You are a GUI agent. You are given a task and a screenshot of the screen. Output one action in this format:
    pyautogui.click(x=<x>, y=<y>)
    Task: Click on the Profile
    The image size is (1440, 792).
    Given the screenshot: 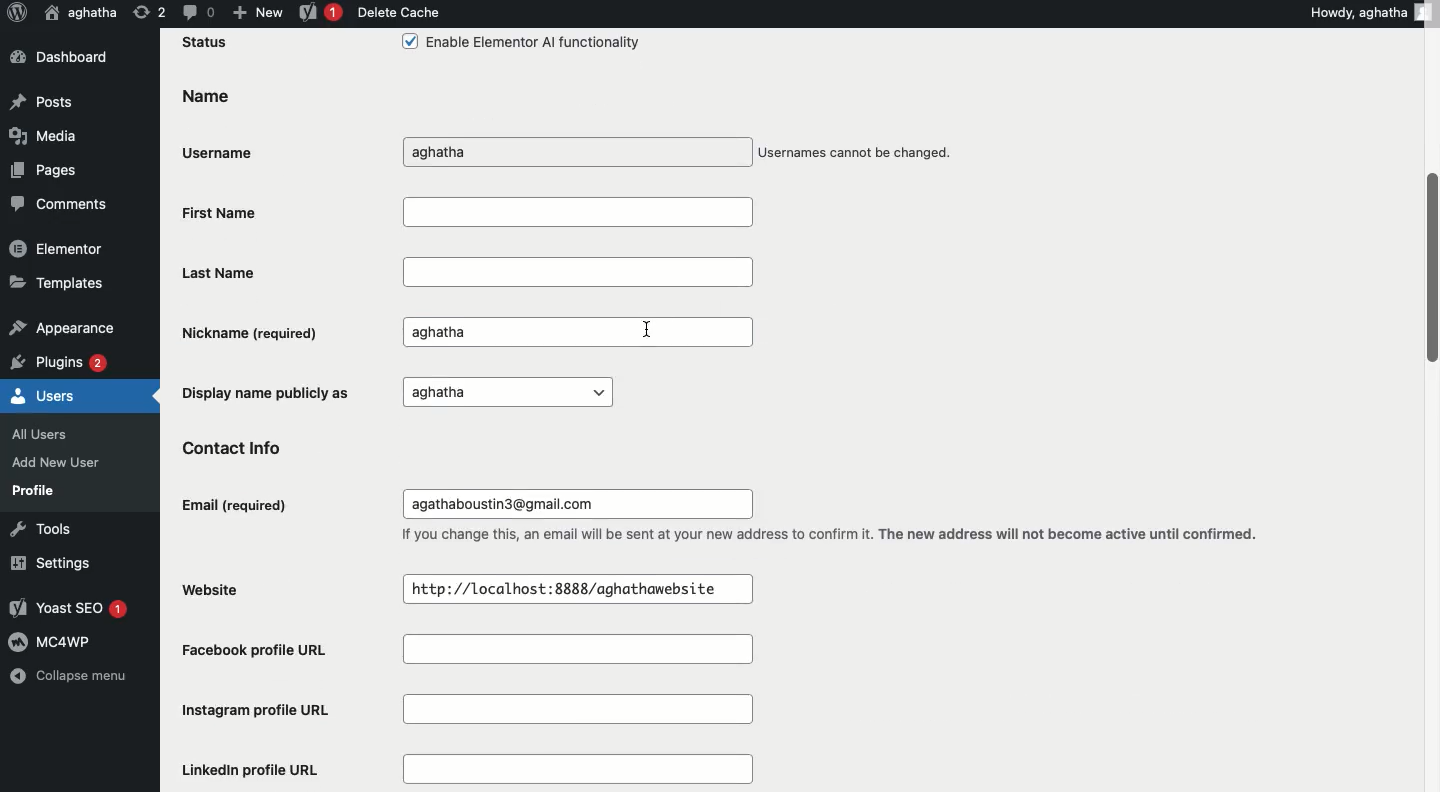 What is the action you would take?
    pyautogui.click(x=34, y=490)
    